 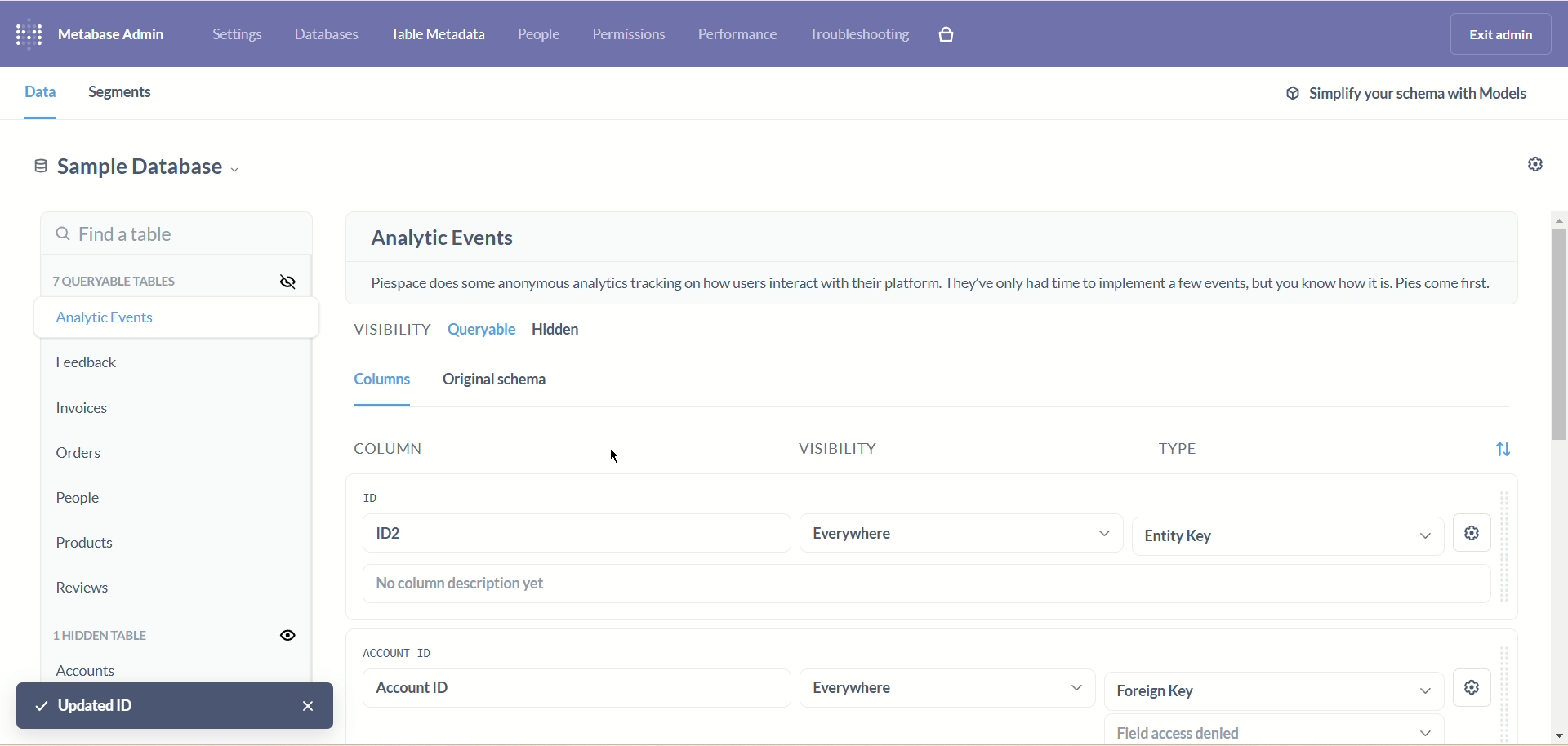 What do you see at coordinates (111, 280) in the screenshot?
I see `7 queryable tables` at bounding box center [111, 280].